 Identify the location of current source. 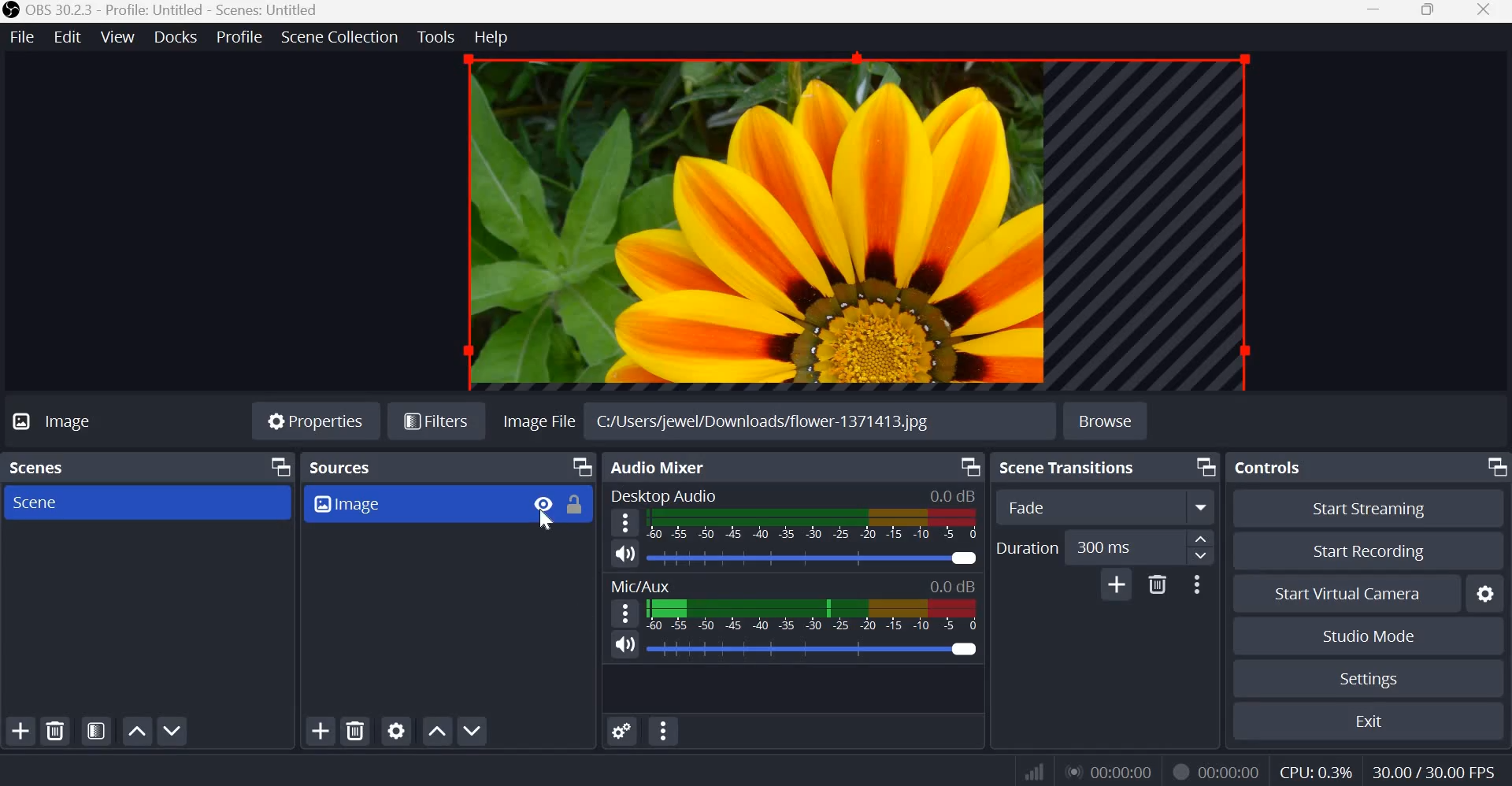
(858, 224).